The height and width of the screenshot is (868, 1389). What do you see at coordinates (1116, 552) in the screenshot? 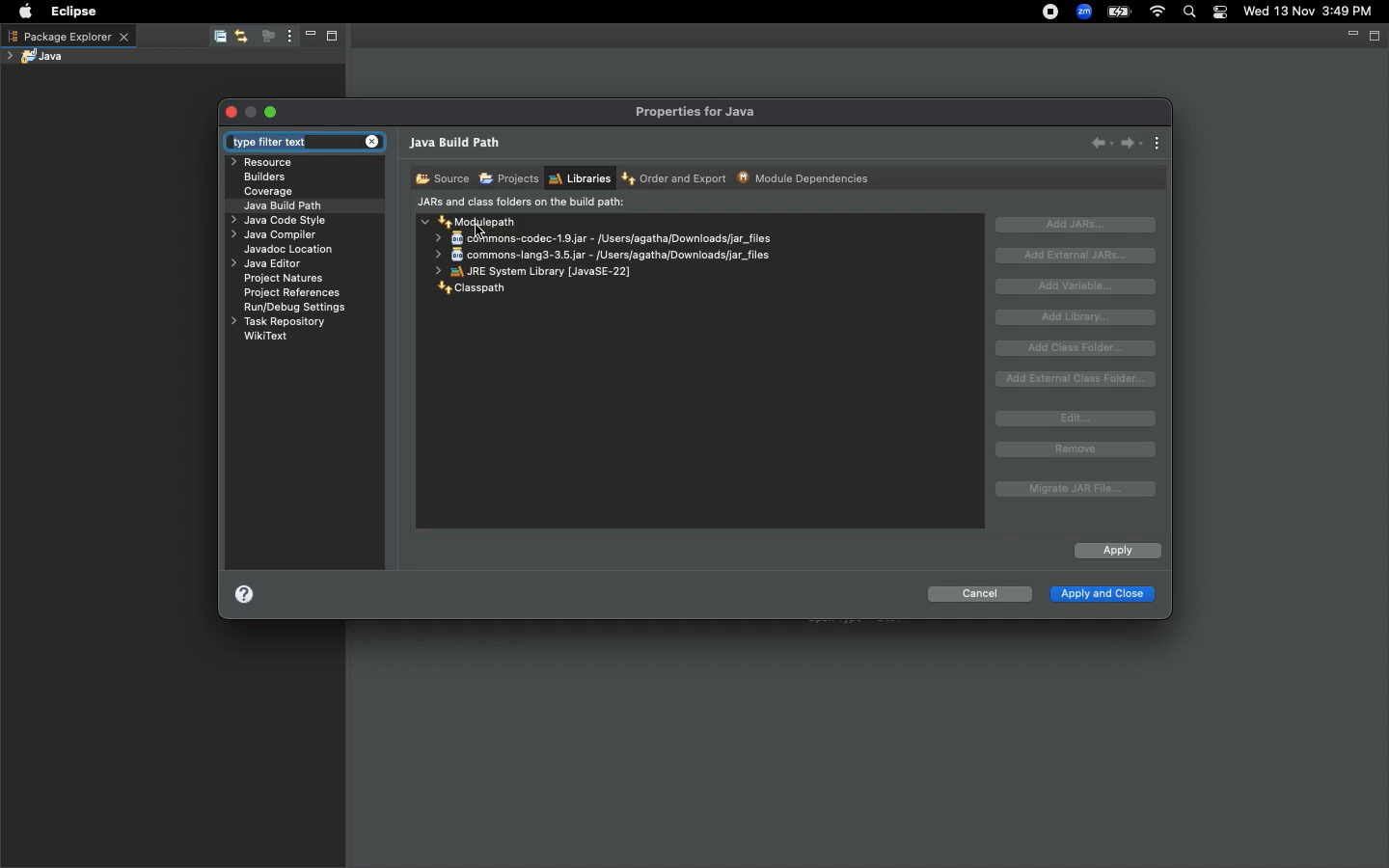
I see `Apply` at bounding box center [1116, 552].